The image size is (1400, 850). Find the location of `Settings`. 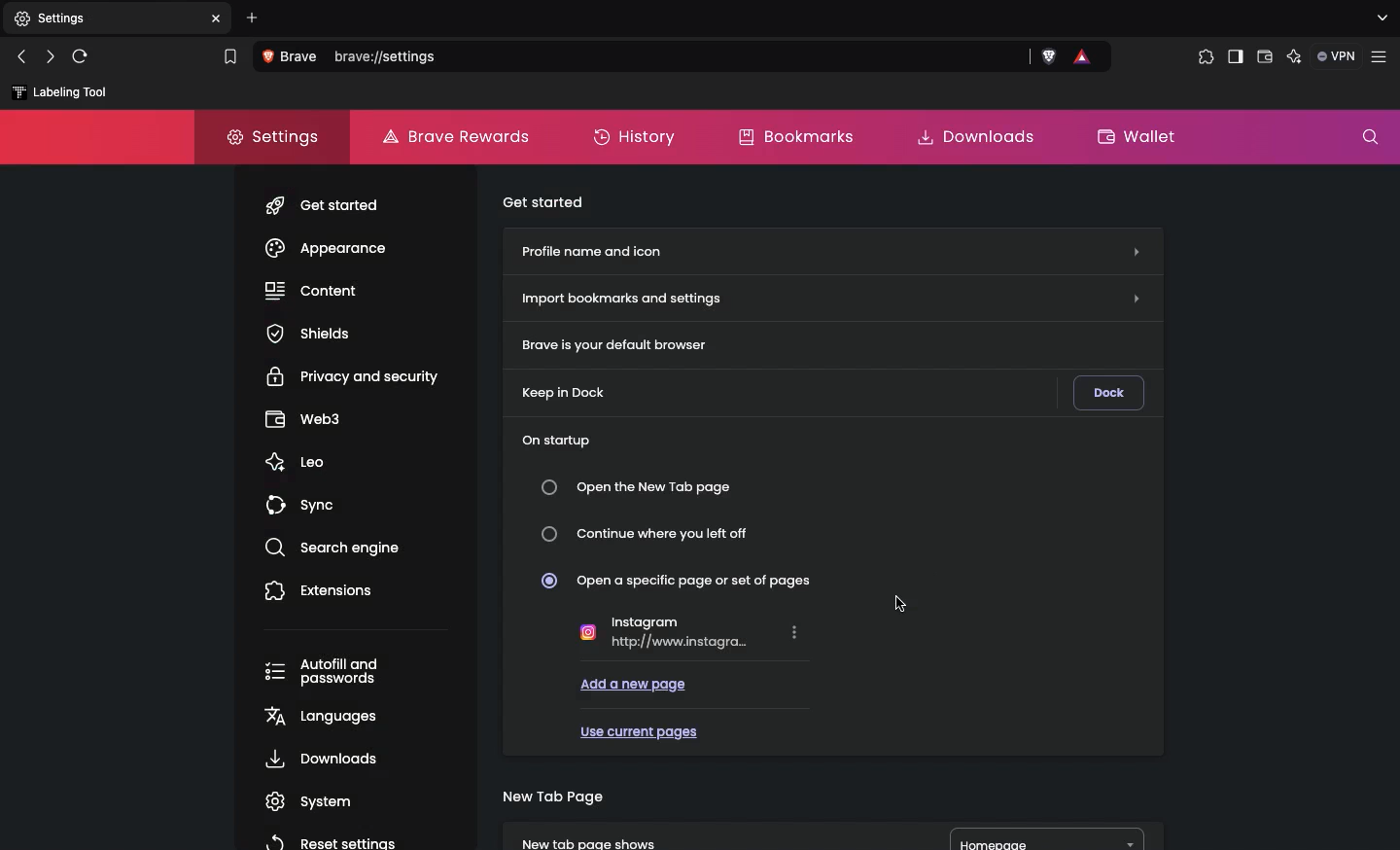

Settings is located at coordinates (264, 134).